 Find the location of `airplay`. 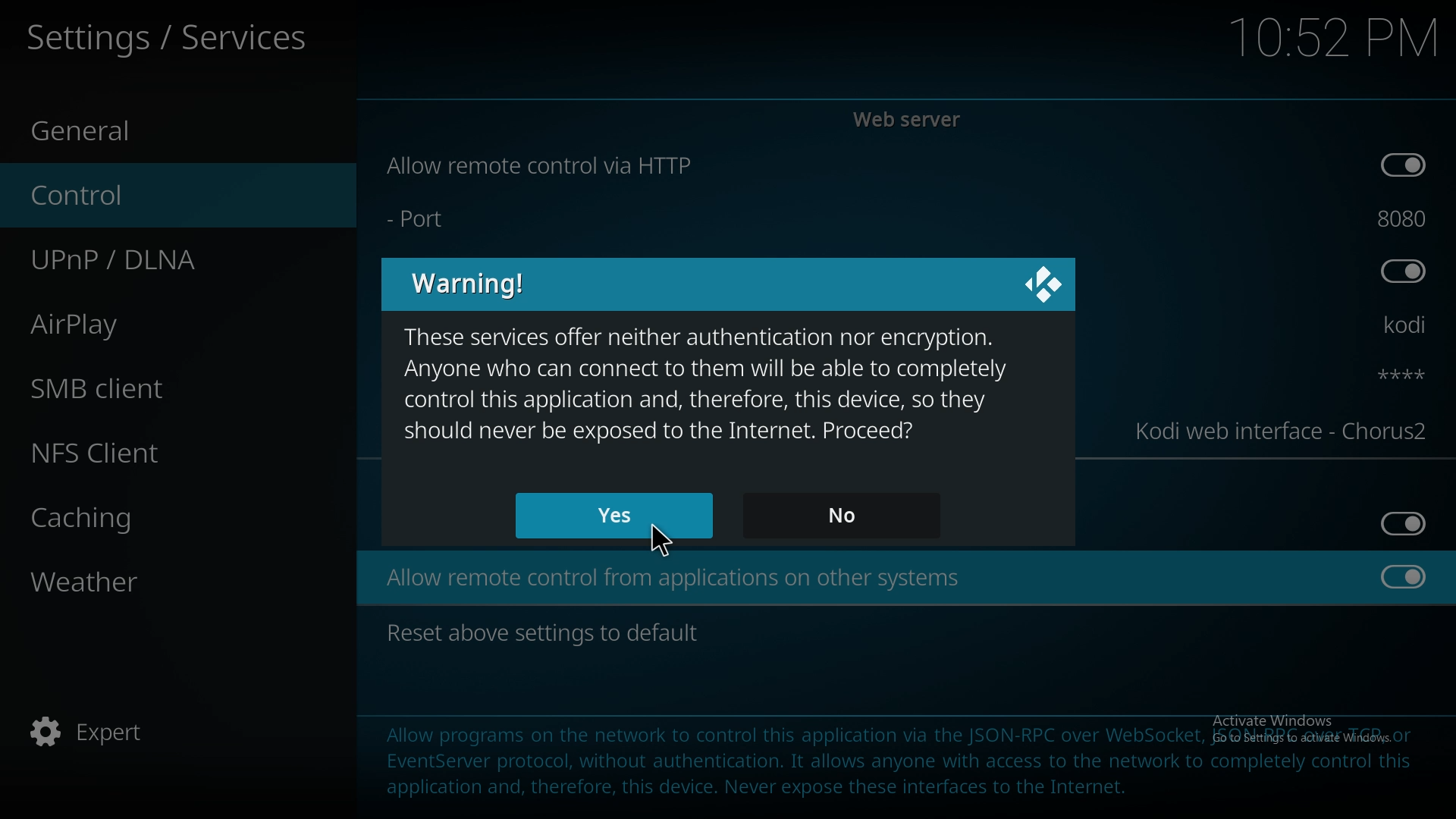

airplay is located at coordinates (153, 322).